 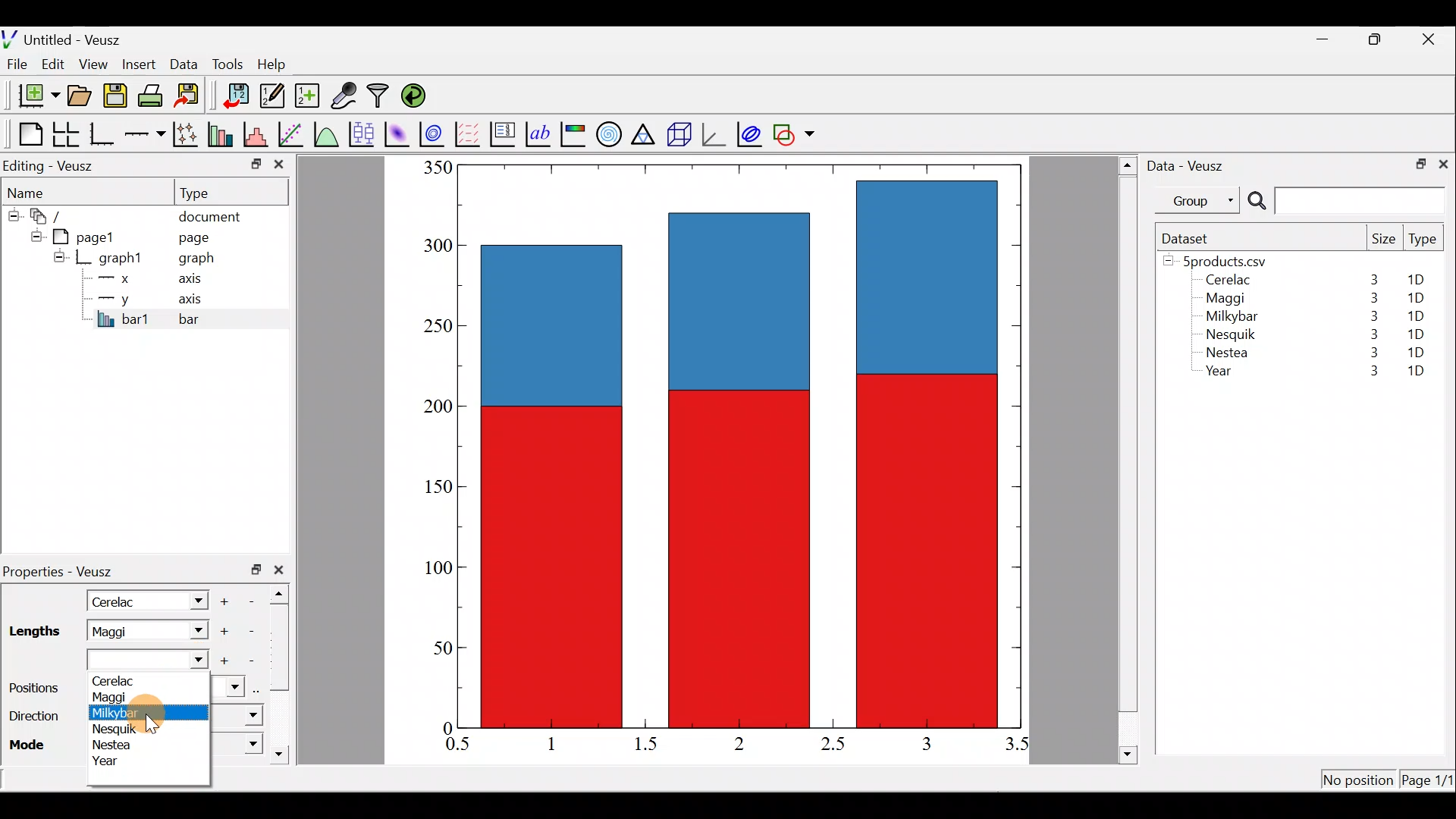 I want to click on Maggi, so click(x=121, y=695).